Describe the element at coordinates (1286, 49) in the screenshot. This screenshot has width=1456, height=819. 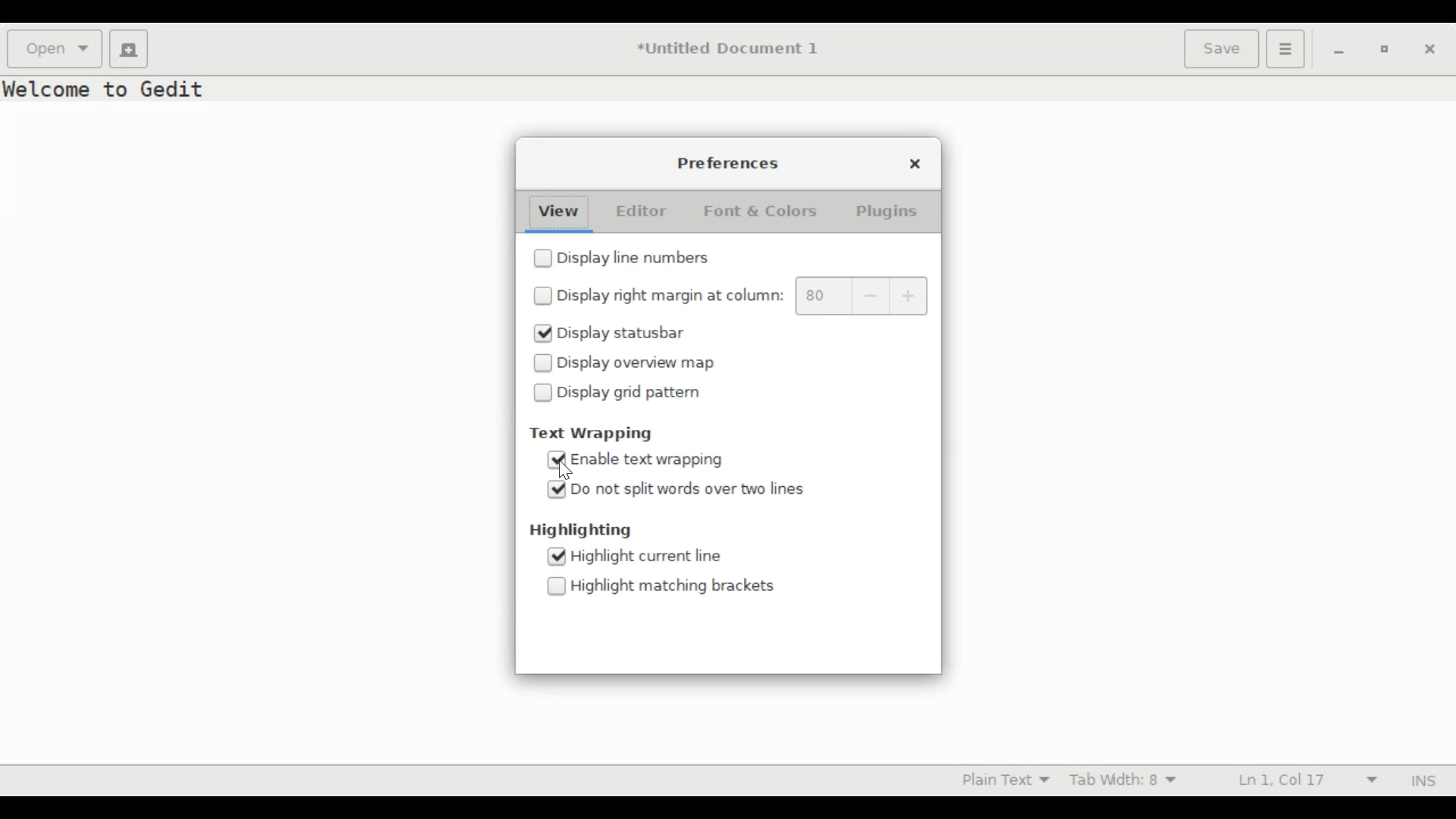
I see `Application menu` at that location.